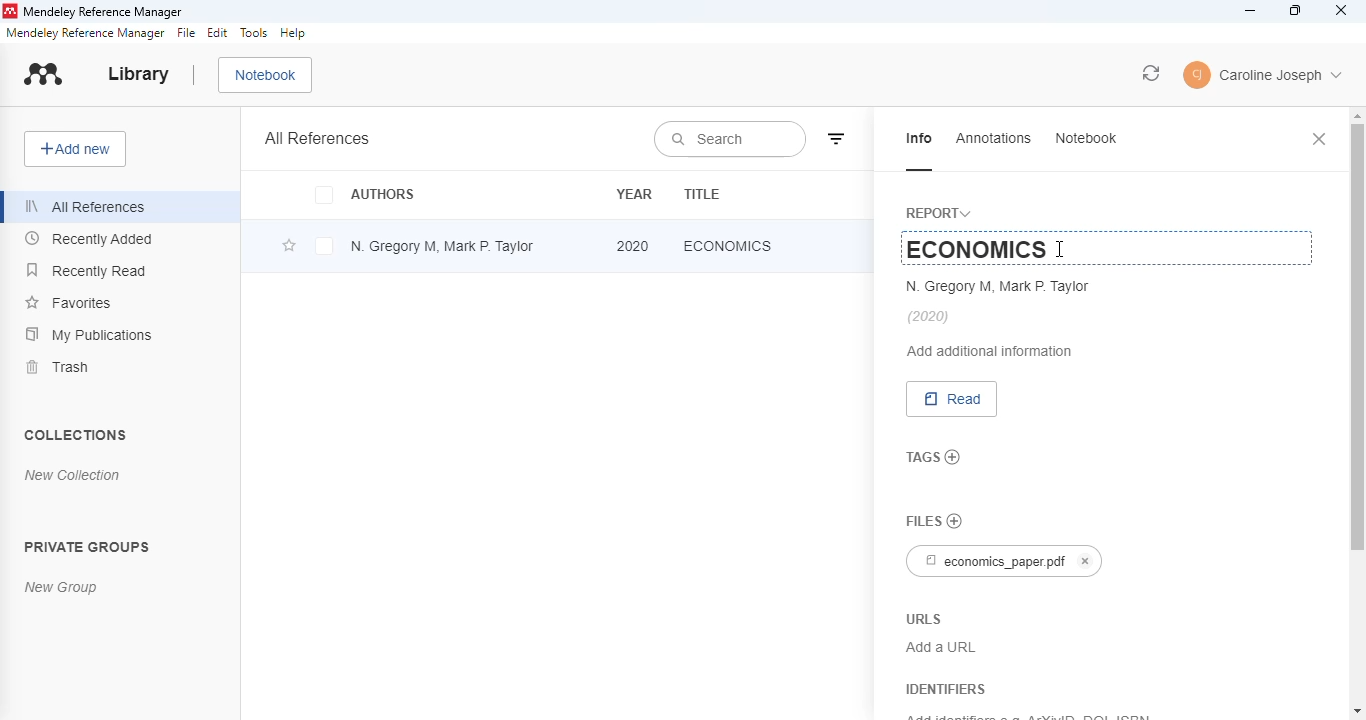 The image size is (1366, 720). Describe the element at coordinates (728, 245) in the screenshot. I see `economics` at that location.